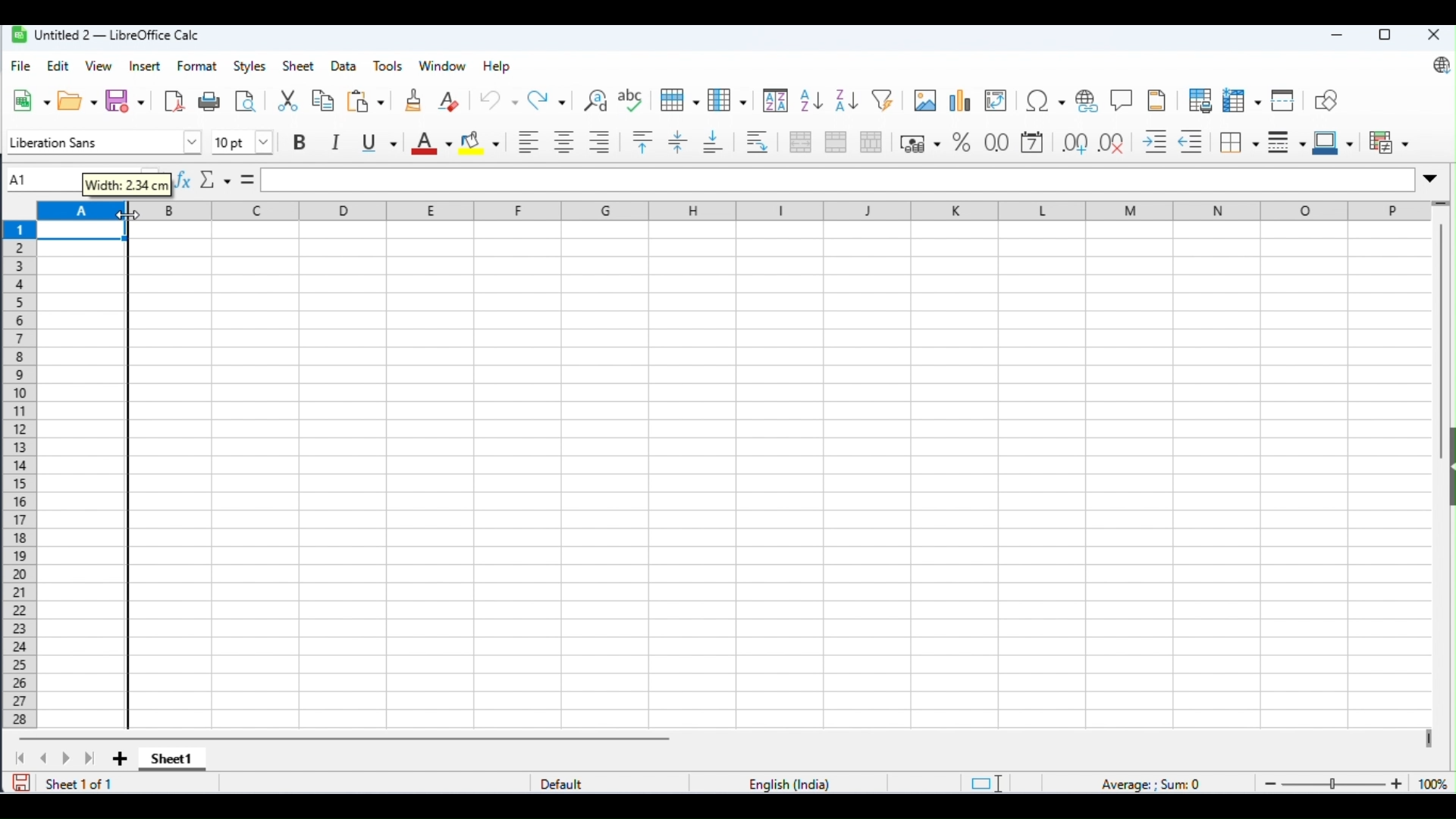  What do you see at coordinates (996, 102) in the screenshot?
I see `insert or edit pivot table` at bounding box center [996, 102].